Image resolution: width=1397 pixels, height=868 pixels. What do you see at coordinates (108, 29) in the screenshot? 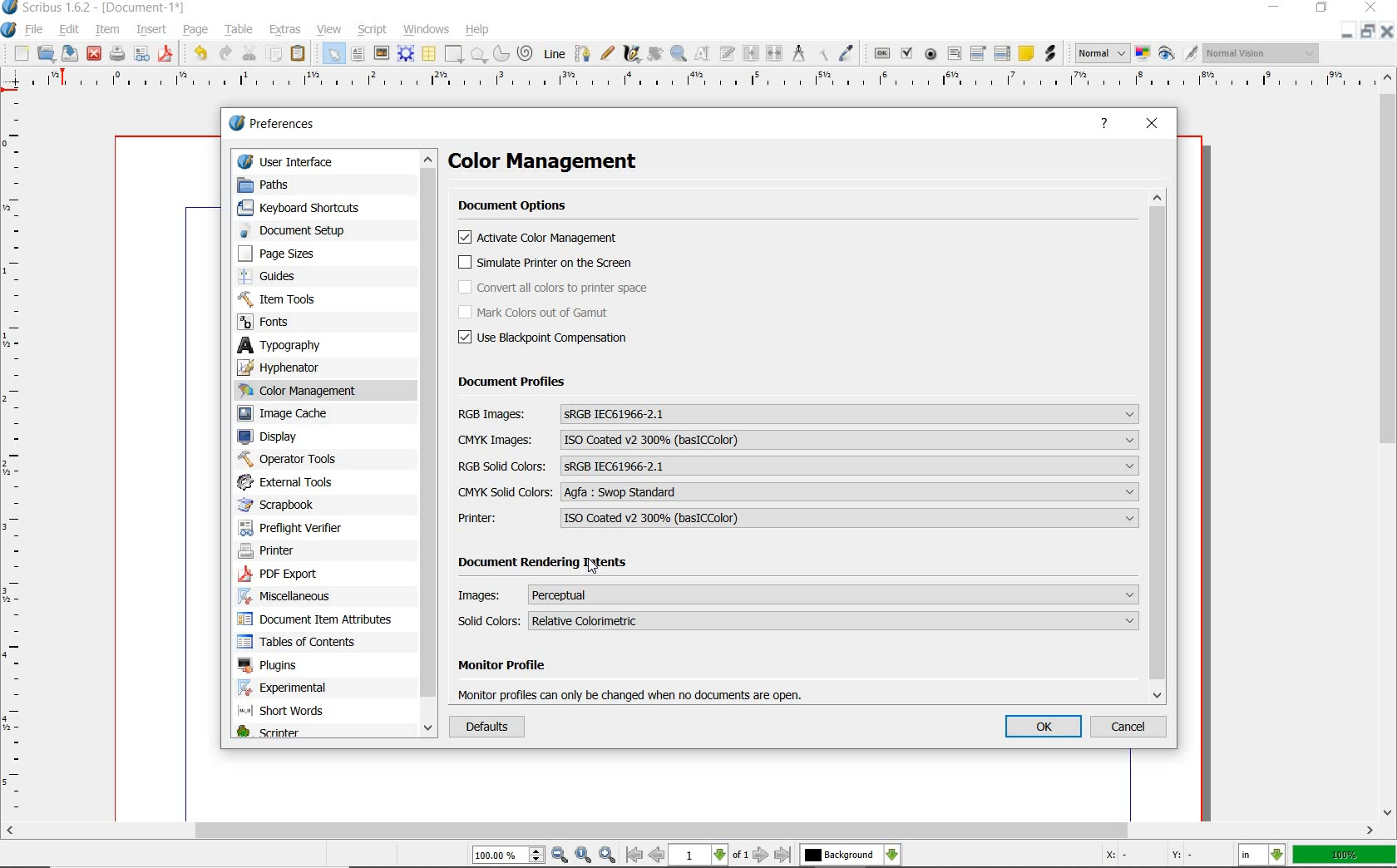
I see `item` at bounding box center [108, 29].